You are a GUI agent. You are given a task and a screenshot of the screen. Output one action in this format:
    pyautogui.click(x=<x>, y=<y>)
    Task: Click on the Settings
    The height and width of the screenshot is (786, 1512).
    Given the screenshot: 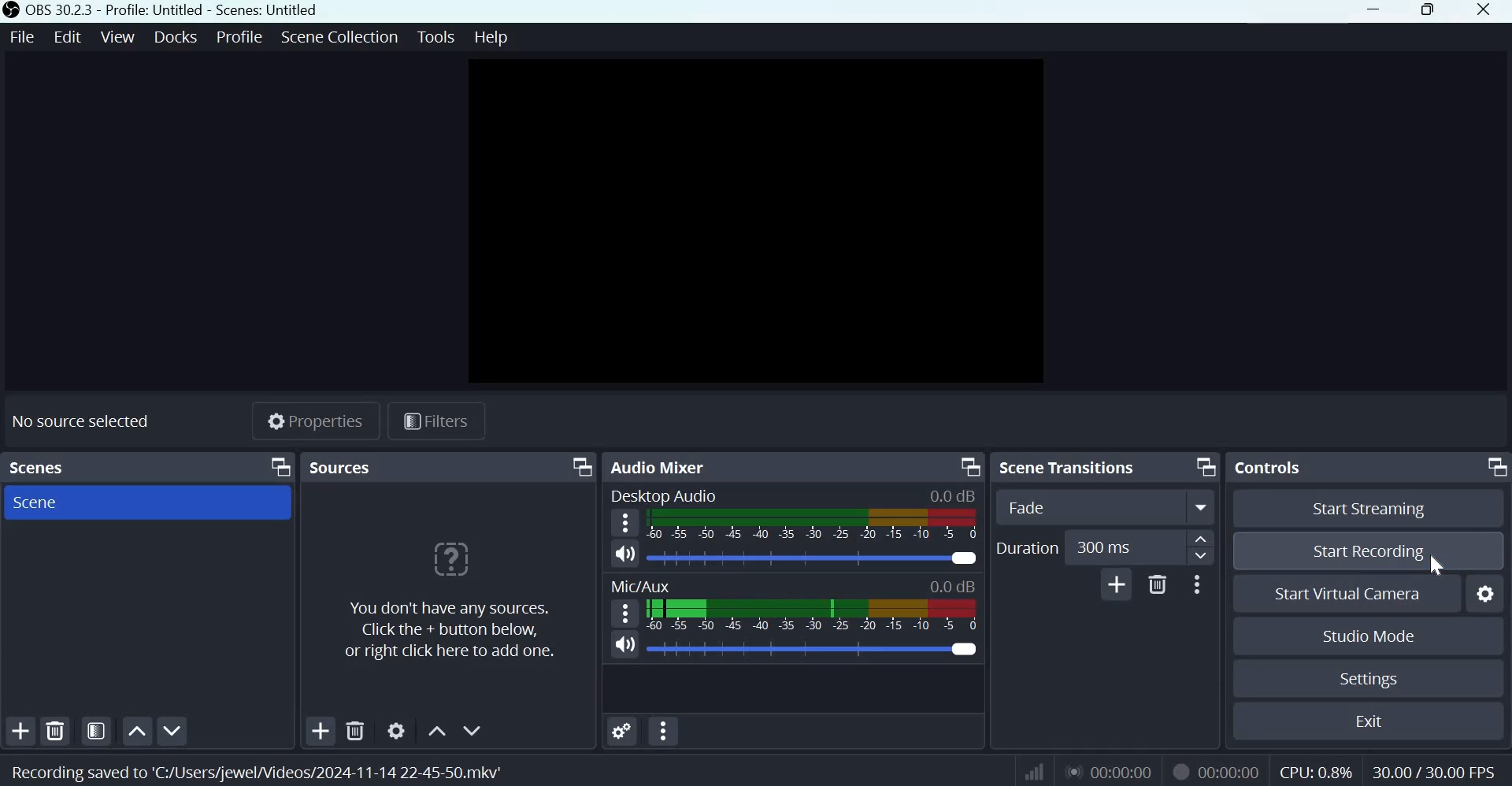 What is the action you would take?
    pyautogui.click(x=1369, y=680)
    